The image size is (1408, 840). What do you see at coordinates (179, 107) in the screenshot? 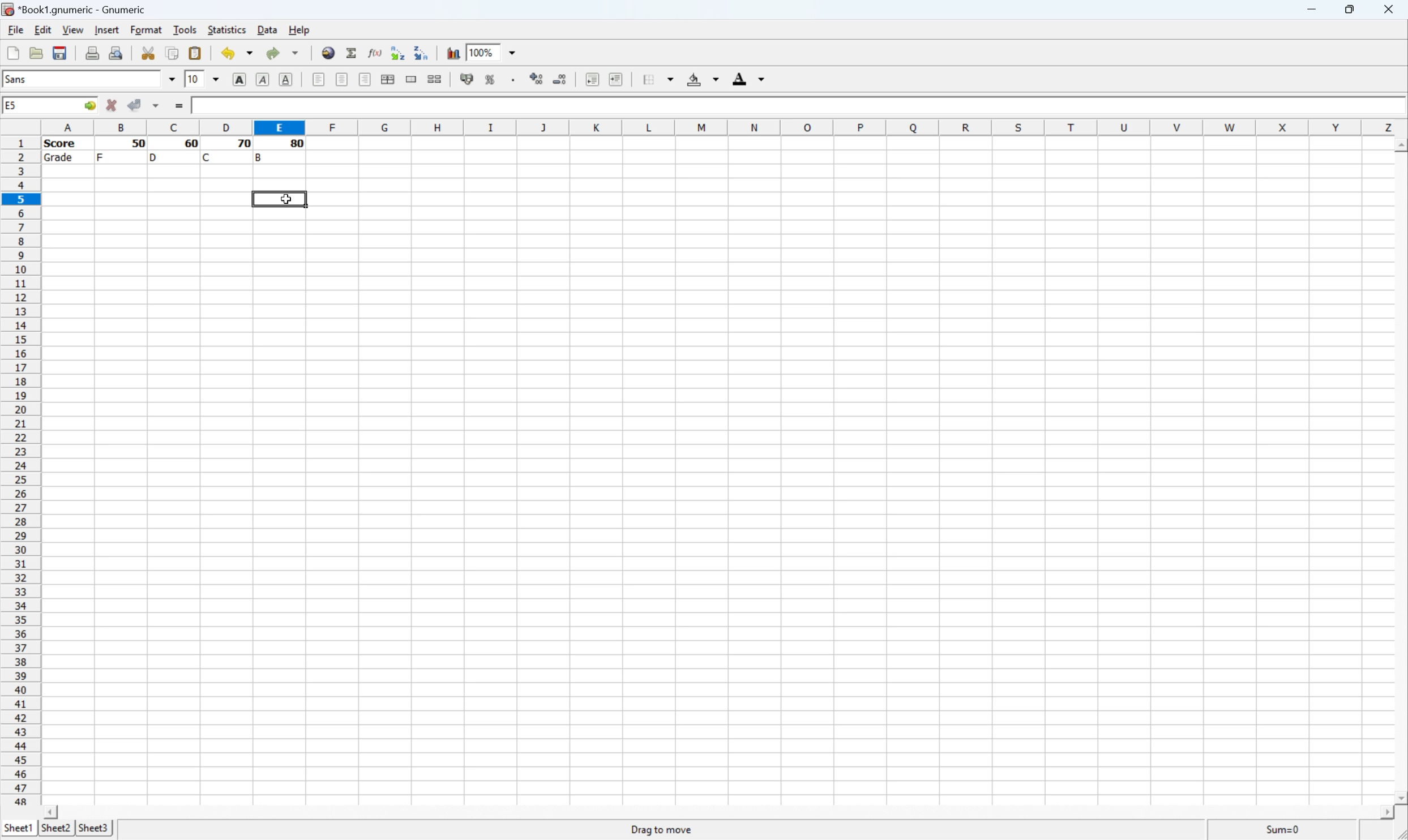
I see `Enter formula` at bounding box center [179, 107].